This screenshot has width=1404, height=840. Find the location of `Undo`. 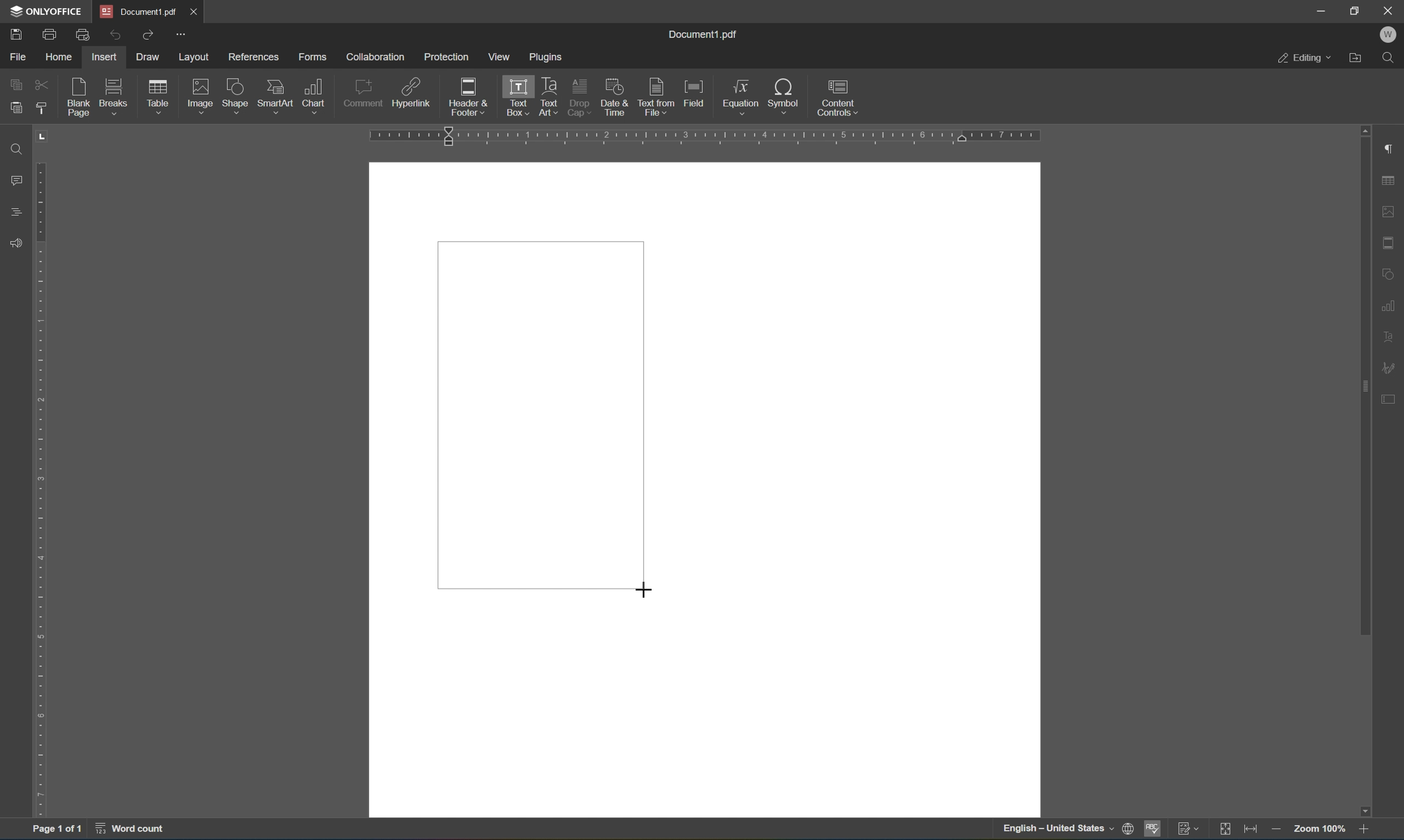

Undo is located at coordinates (114, 37).